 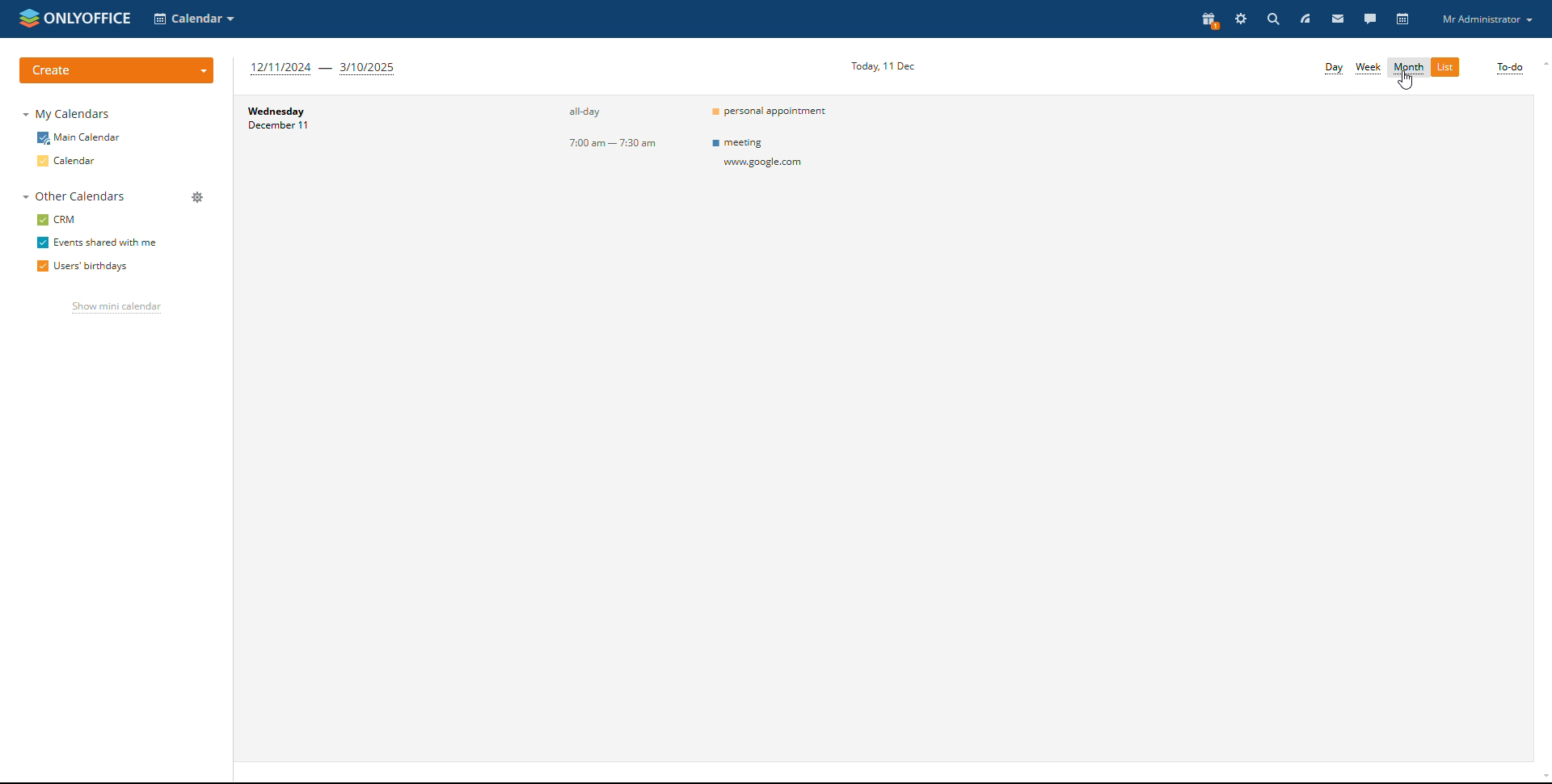 What do you see at coordinates (118, 71) in the screenshot?
I see `create` at bounding box center [118, 71].